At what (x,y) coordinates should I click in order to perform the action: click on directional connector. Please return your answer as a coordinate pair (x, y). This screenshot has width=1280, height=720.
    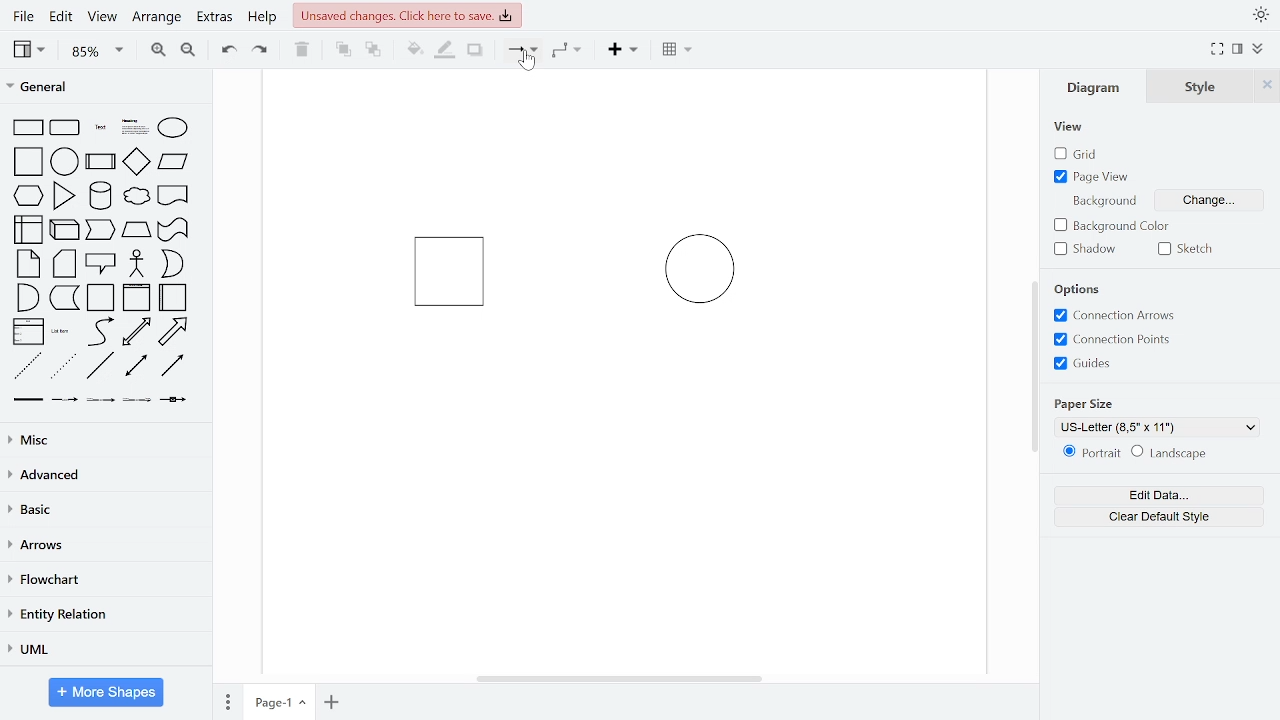
    Looking at the image, I should click on (172, 365).